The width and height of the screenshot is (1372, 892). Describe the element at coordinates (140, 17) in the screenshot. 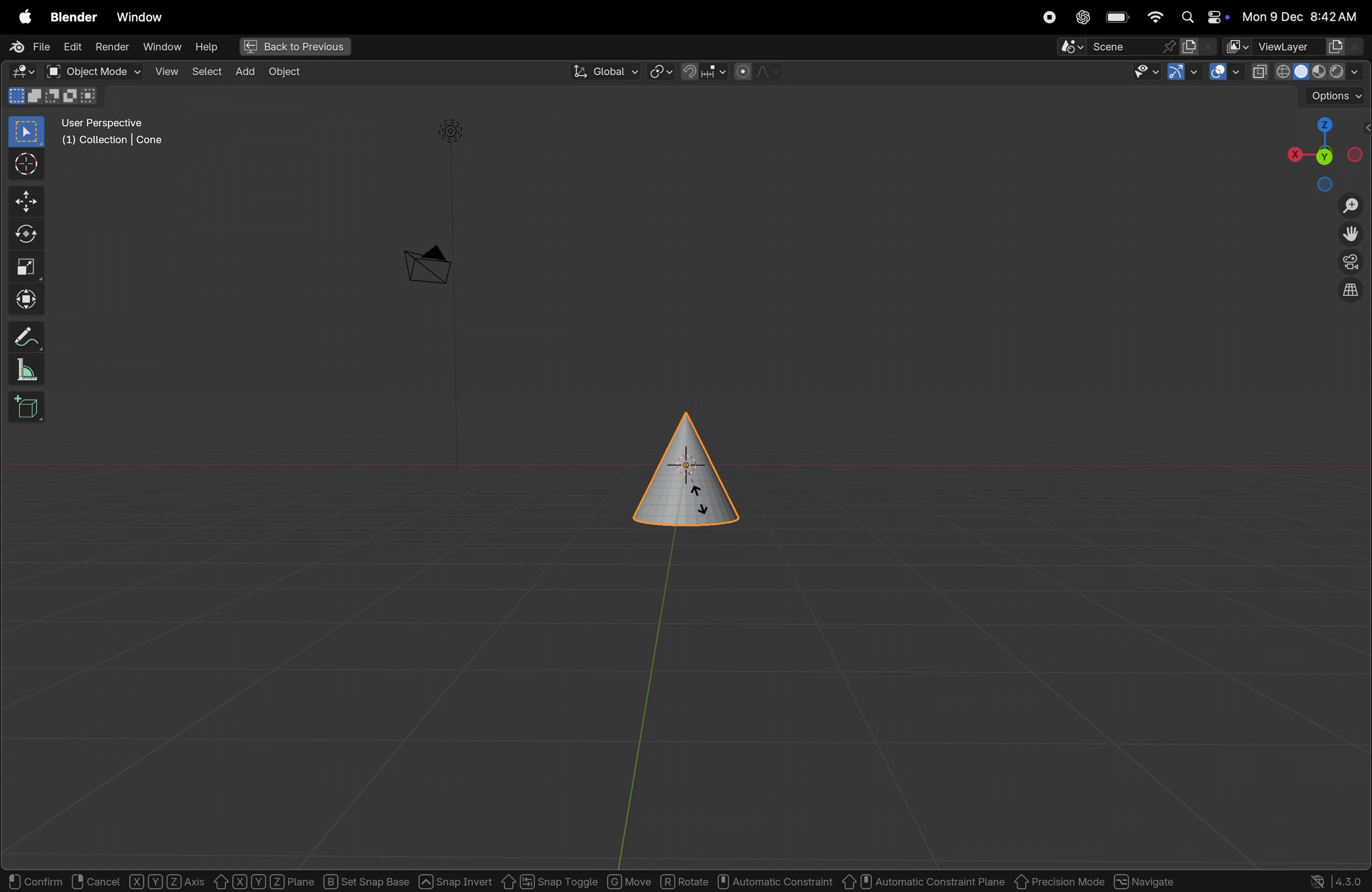

I see `Window` at that location.